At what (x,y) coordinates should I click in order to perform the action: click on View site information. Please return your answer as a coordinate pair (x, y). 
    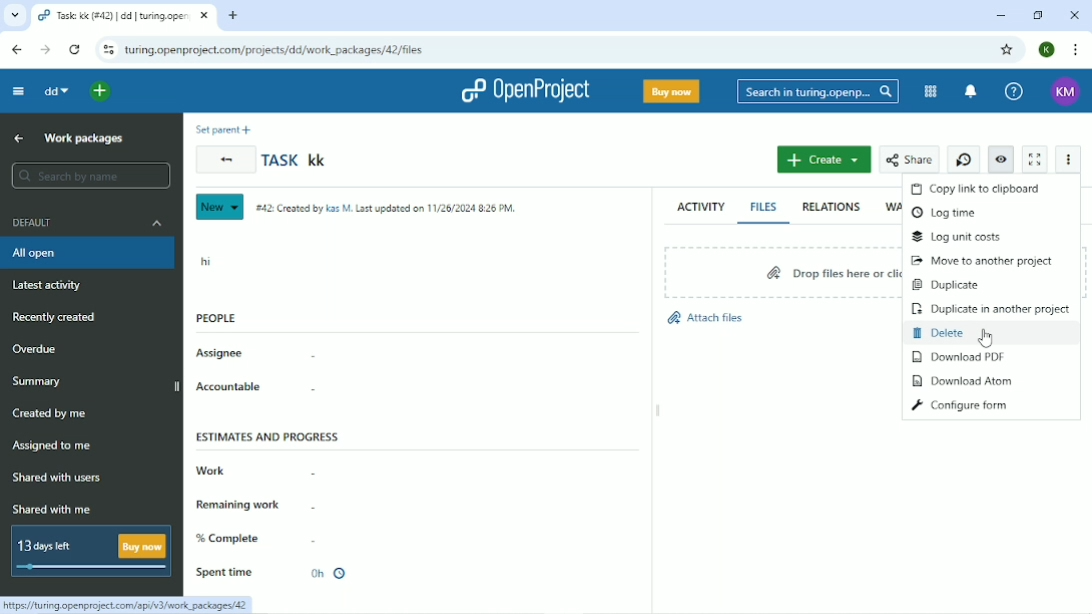
    Looking at the image, I should click on (107, 51).